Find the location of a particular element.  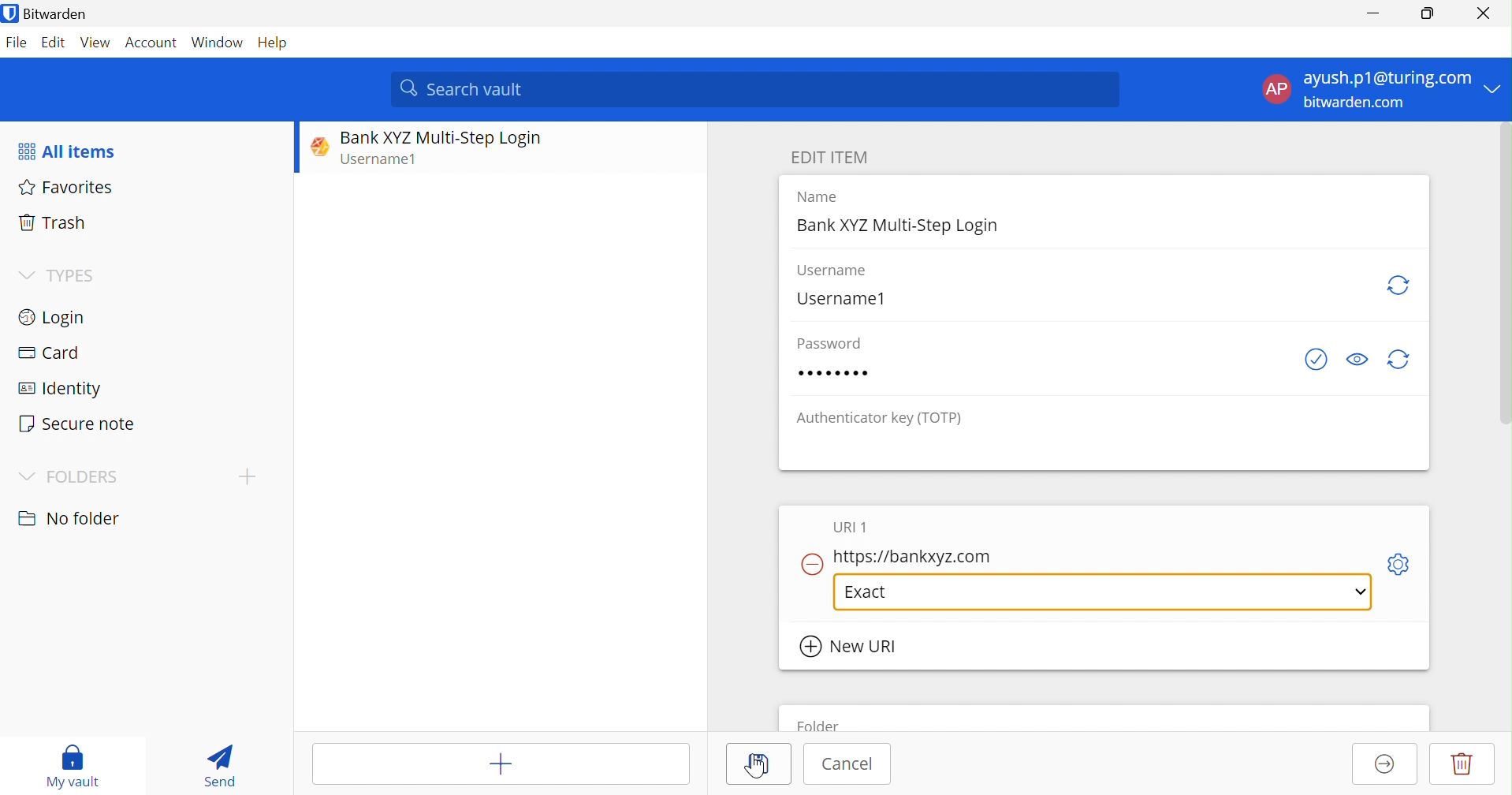

Username1 is located at coordinates (840, 300).